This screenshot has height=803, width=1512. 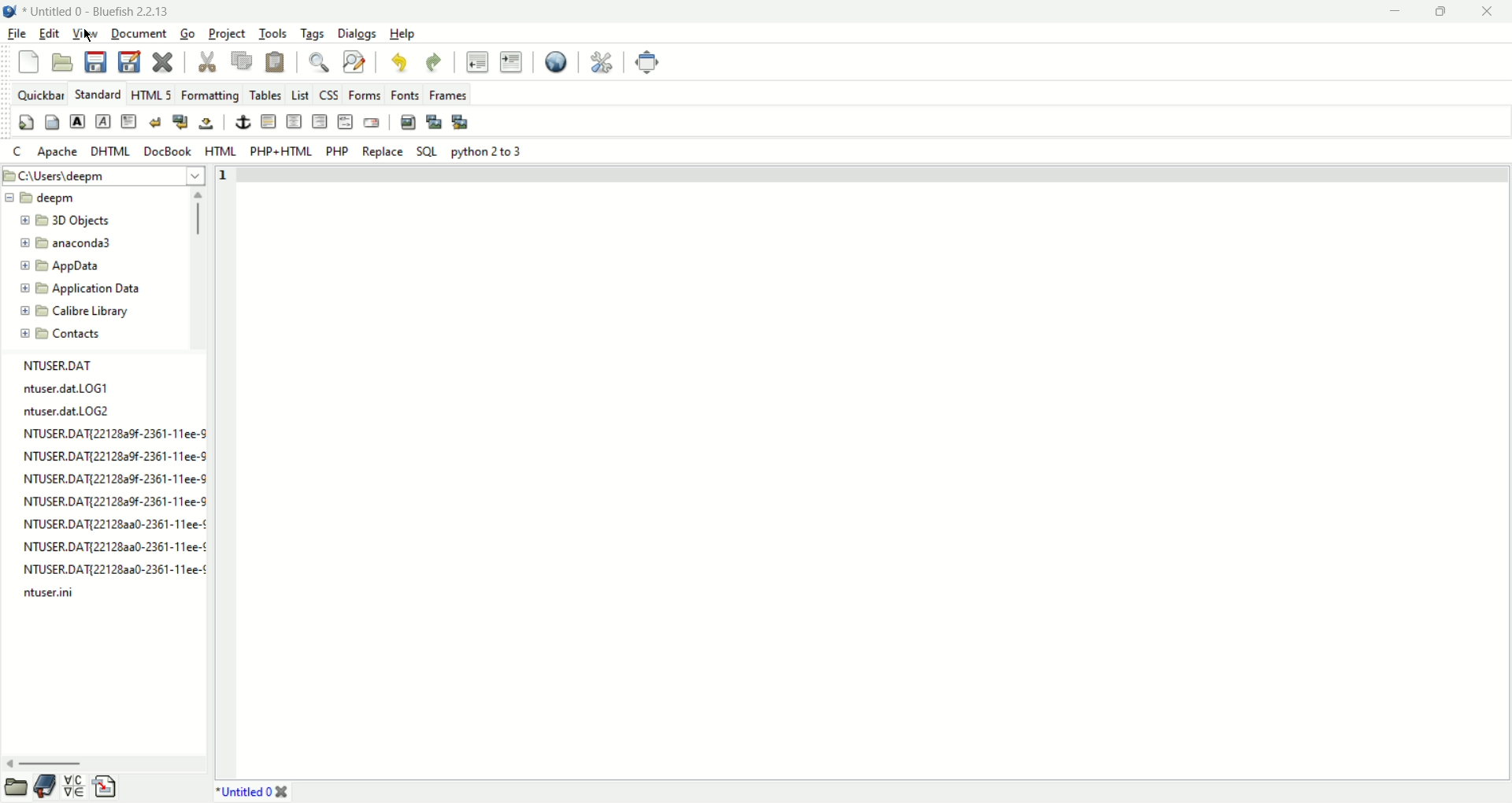 I want to click on find and replace, so click(x=354, y=61).